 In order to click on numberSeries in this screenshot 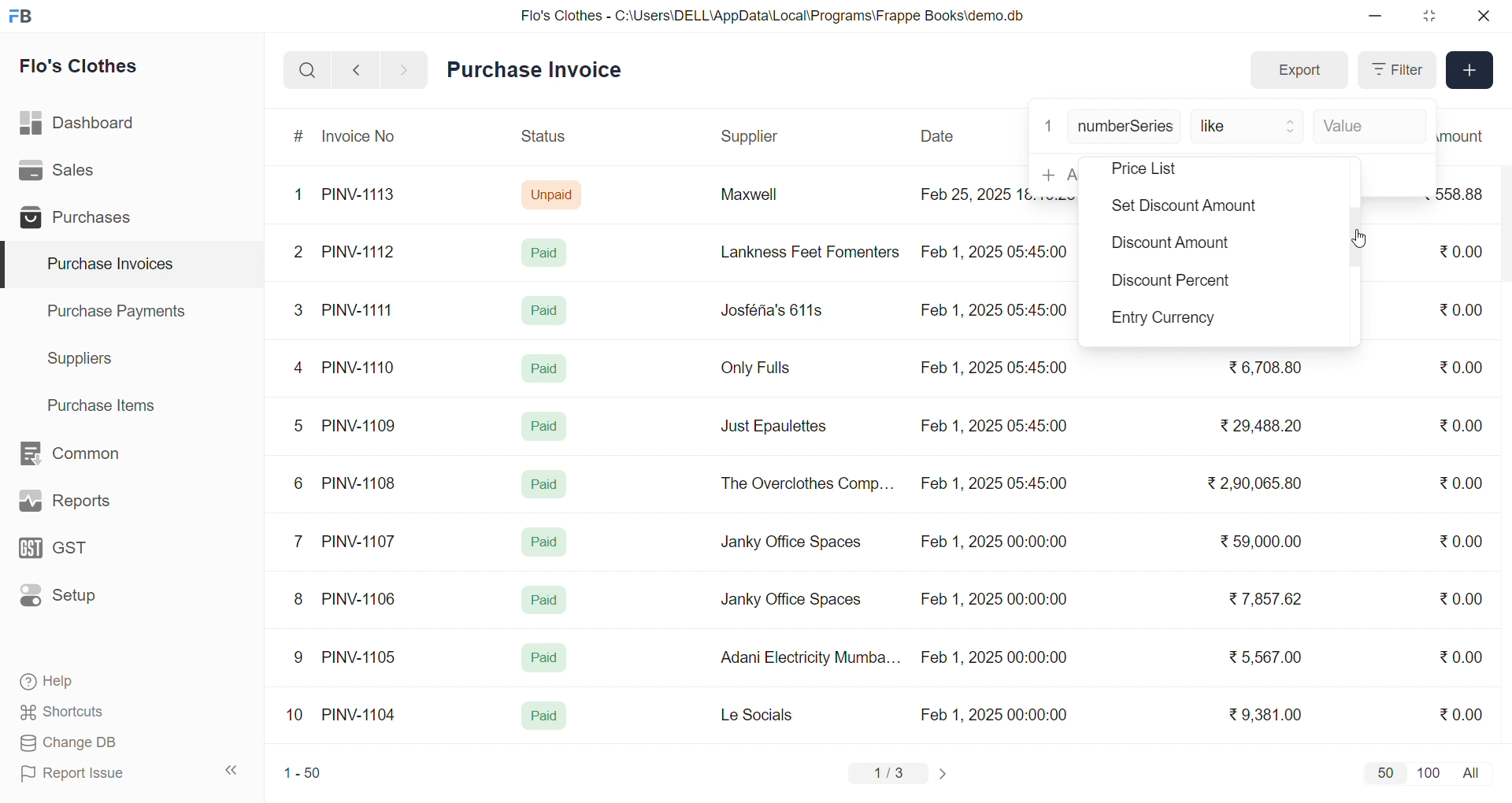, I will do `click(1125, 128)`.